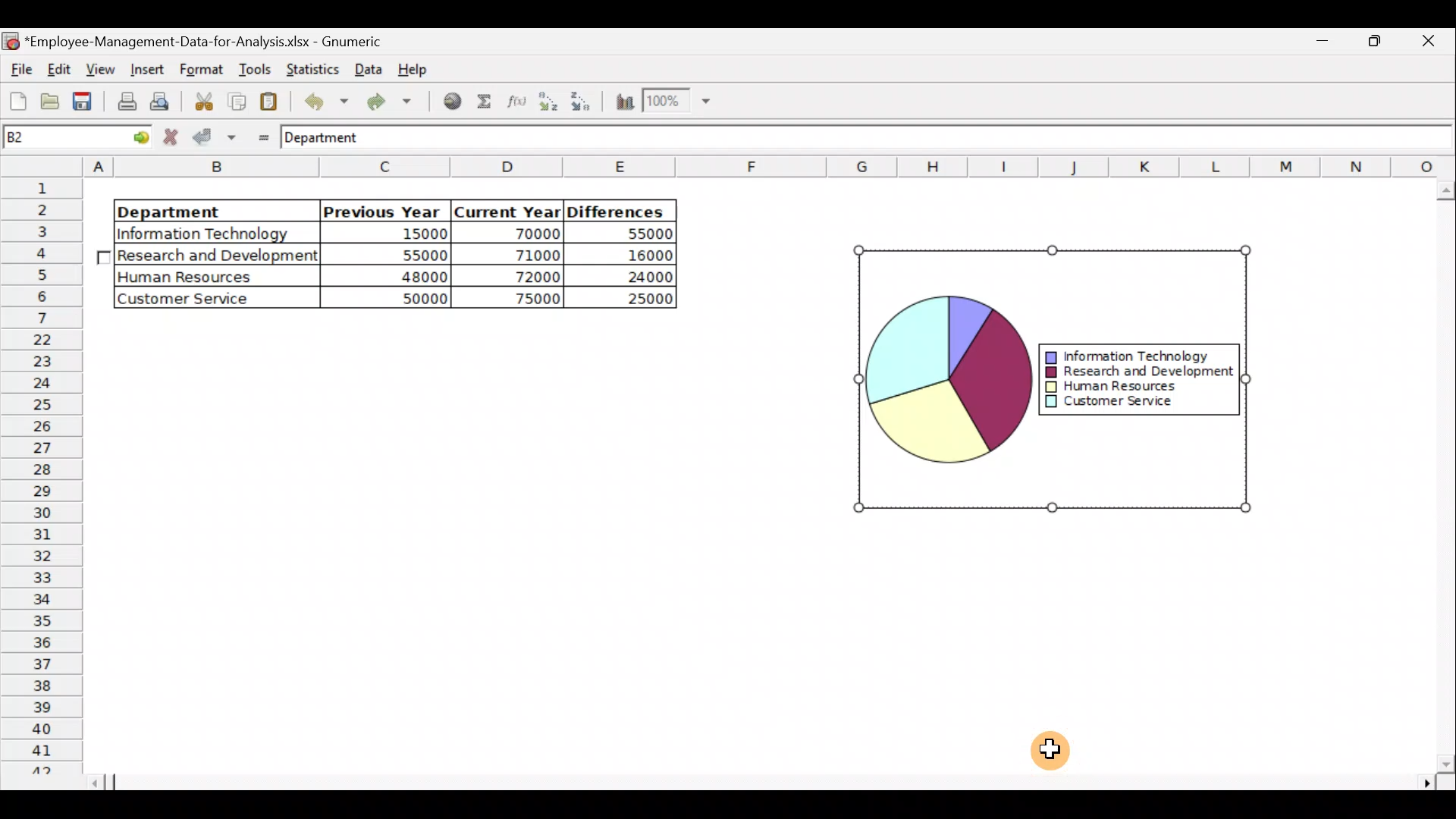 This screenshot has height=819, width=1456. I want to click on 55000, so click(633, 234).